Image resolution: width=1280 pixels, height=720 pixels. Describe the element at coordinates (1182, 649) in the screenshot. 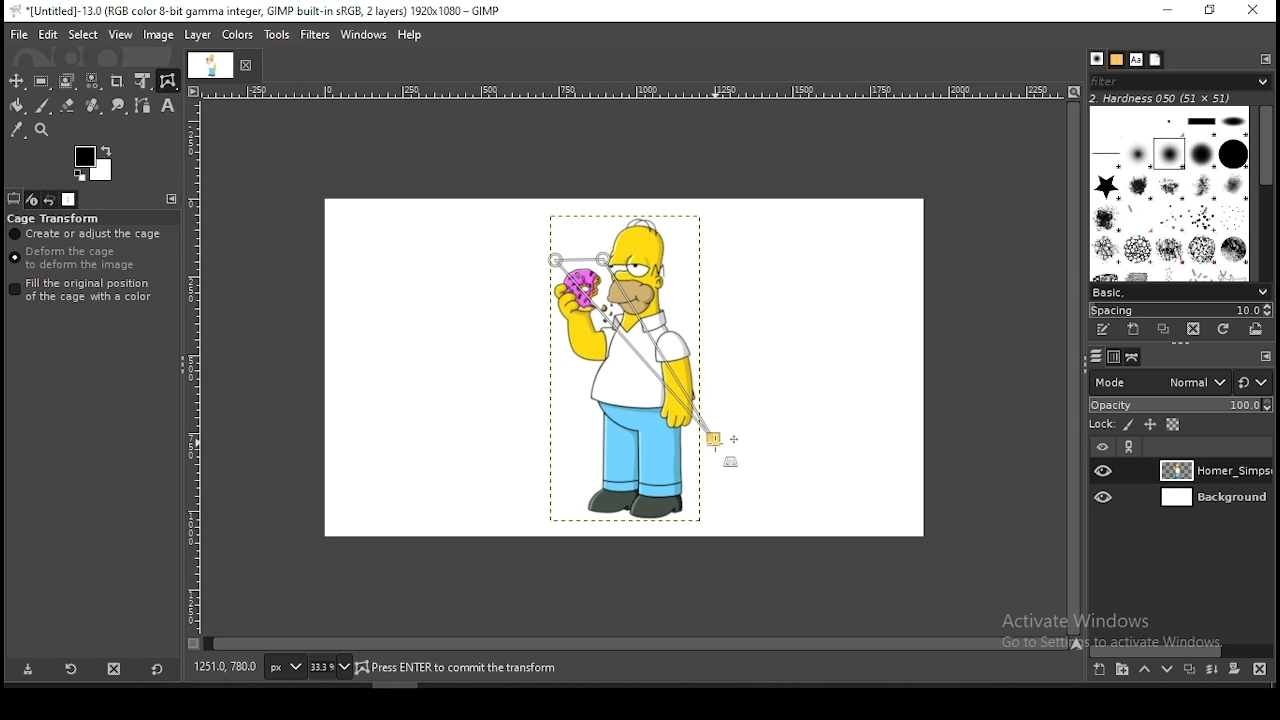

I see `scroll bar` at that location.